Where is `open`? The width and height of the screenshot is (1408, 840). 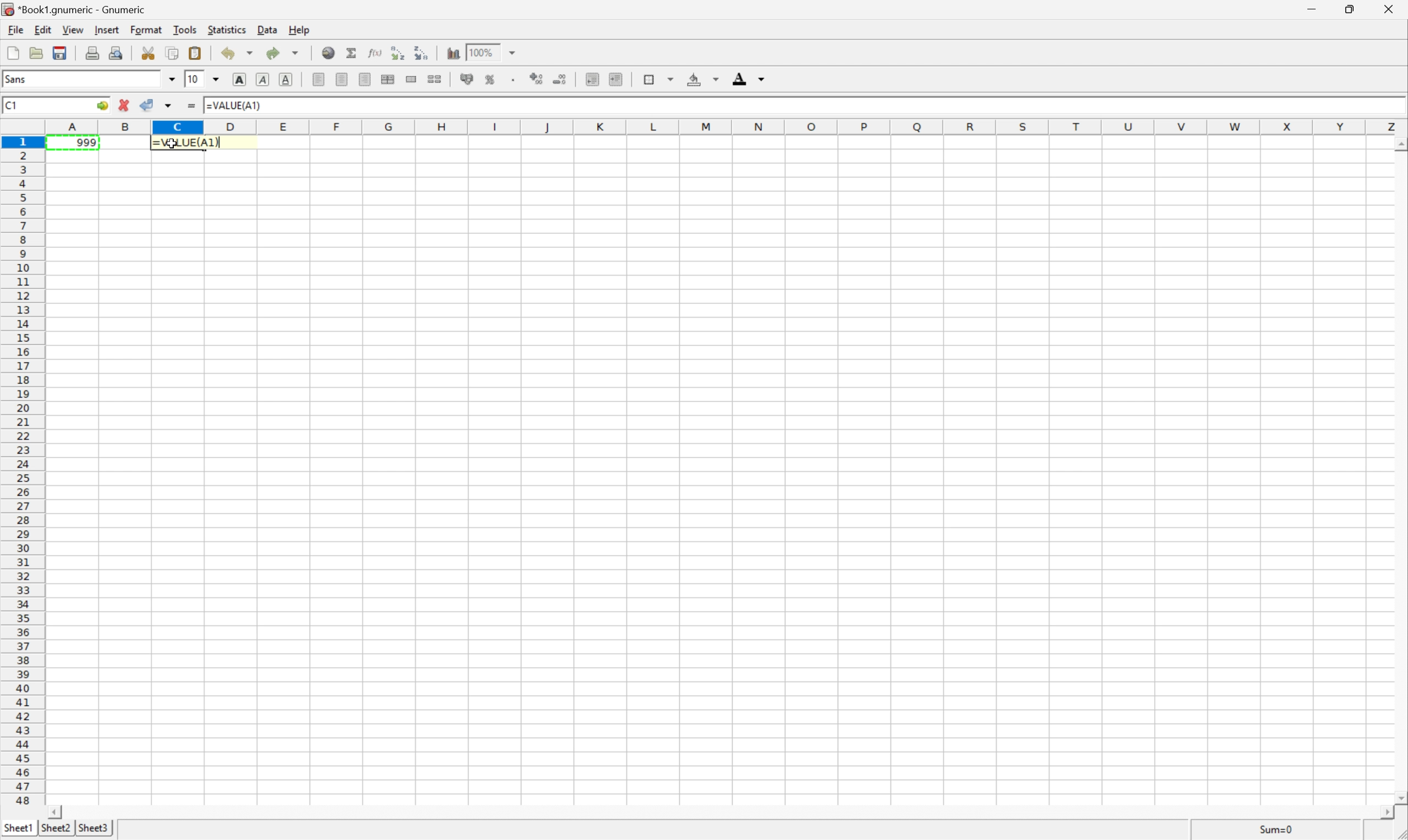 open is located at coordinates (36, 51).